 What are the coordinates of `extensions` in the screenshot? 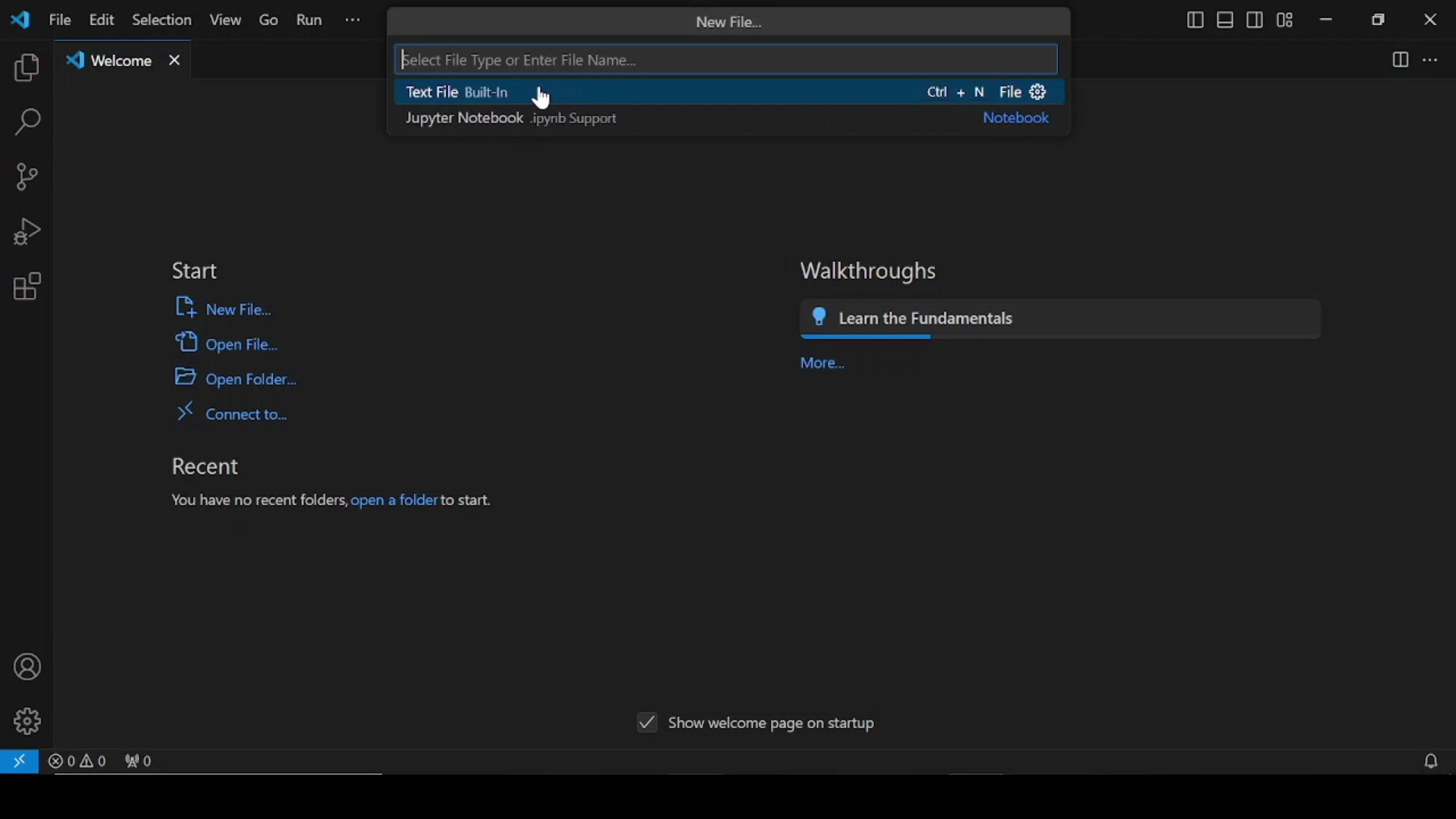 It's located at (27, 287).